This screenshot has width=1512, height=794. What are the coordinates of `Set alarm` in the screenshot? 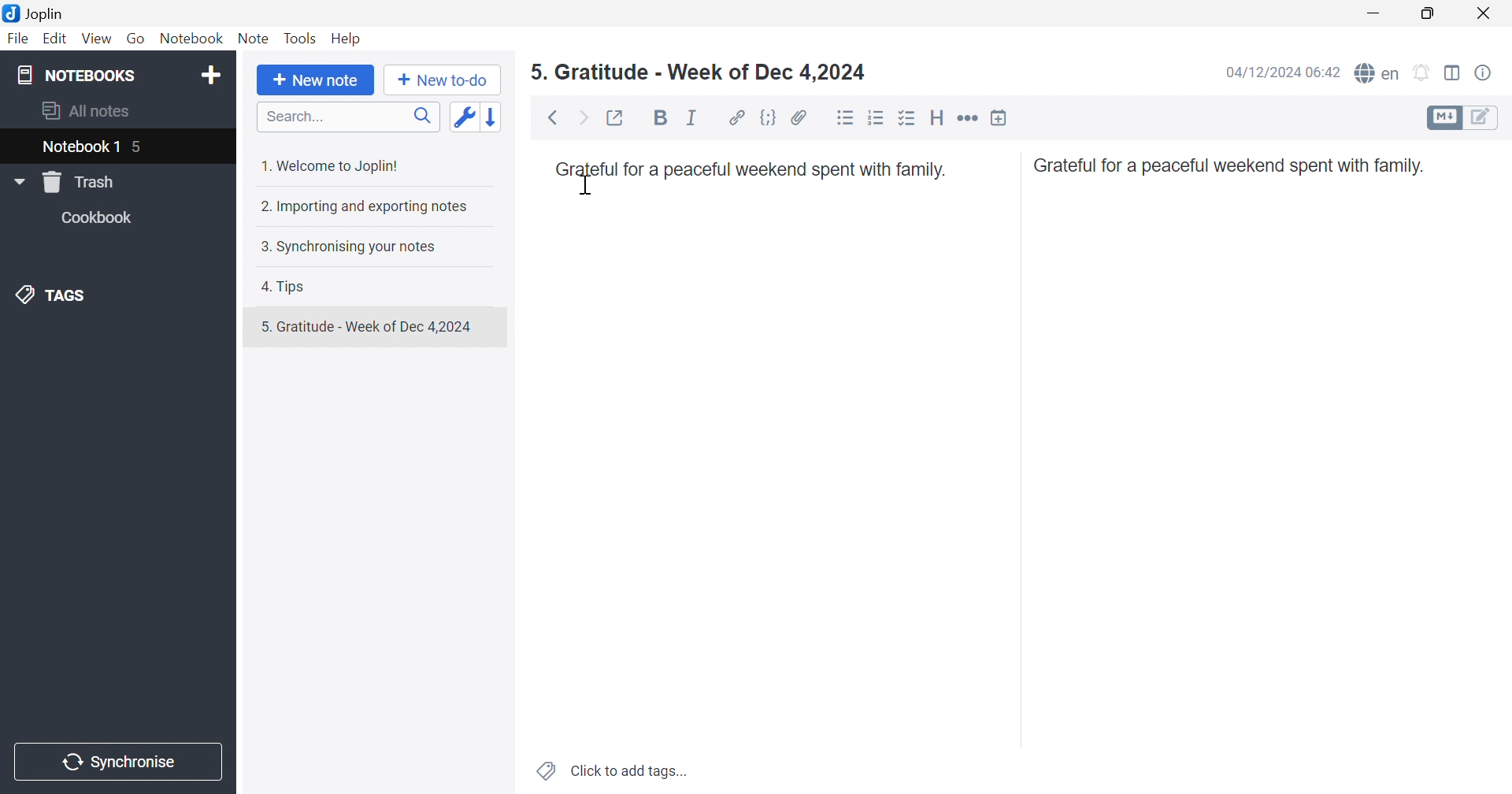 It's located at (1425, 71).